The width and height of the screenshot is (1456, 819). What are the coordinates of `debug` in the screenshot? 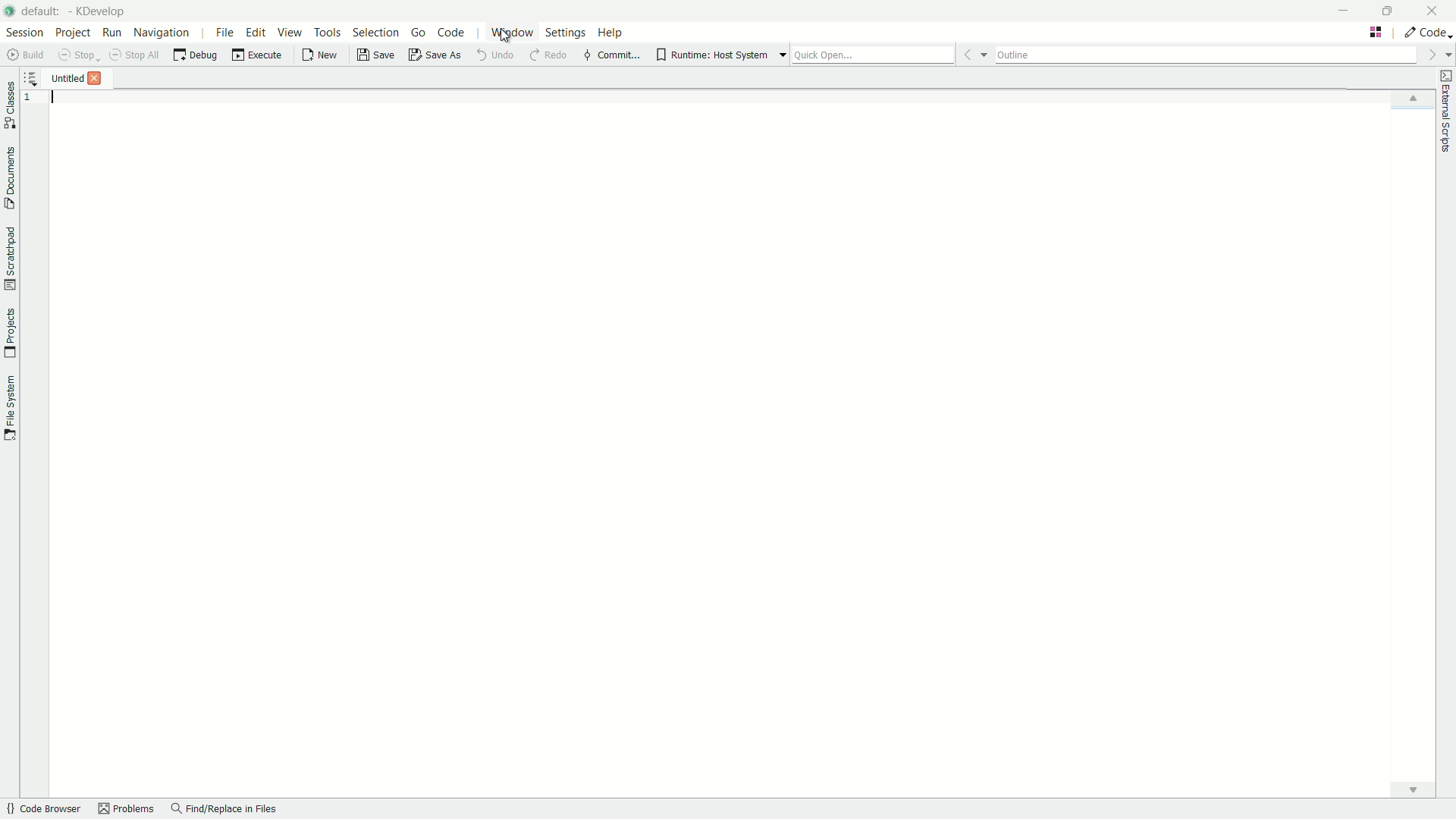 It's located at (195, 55).